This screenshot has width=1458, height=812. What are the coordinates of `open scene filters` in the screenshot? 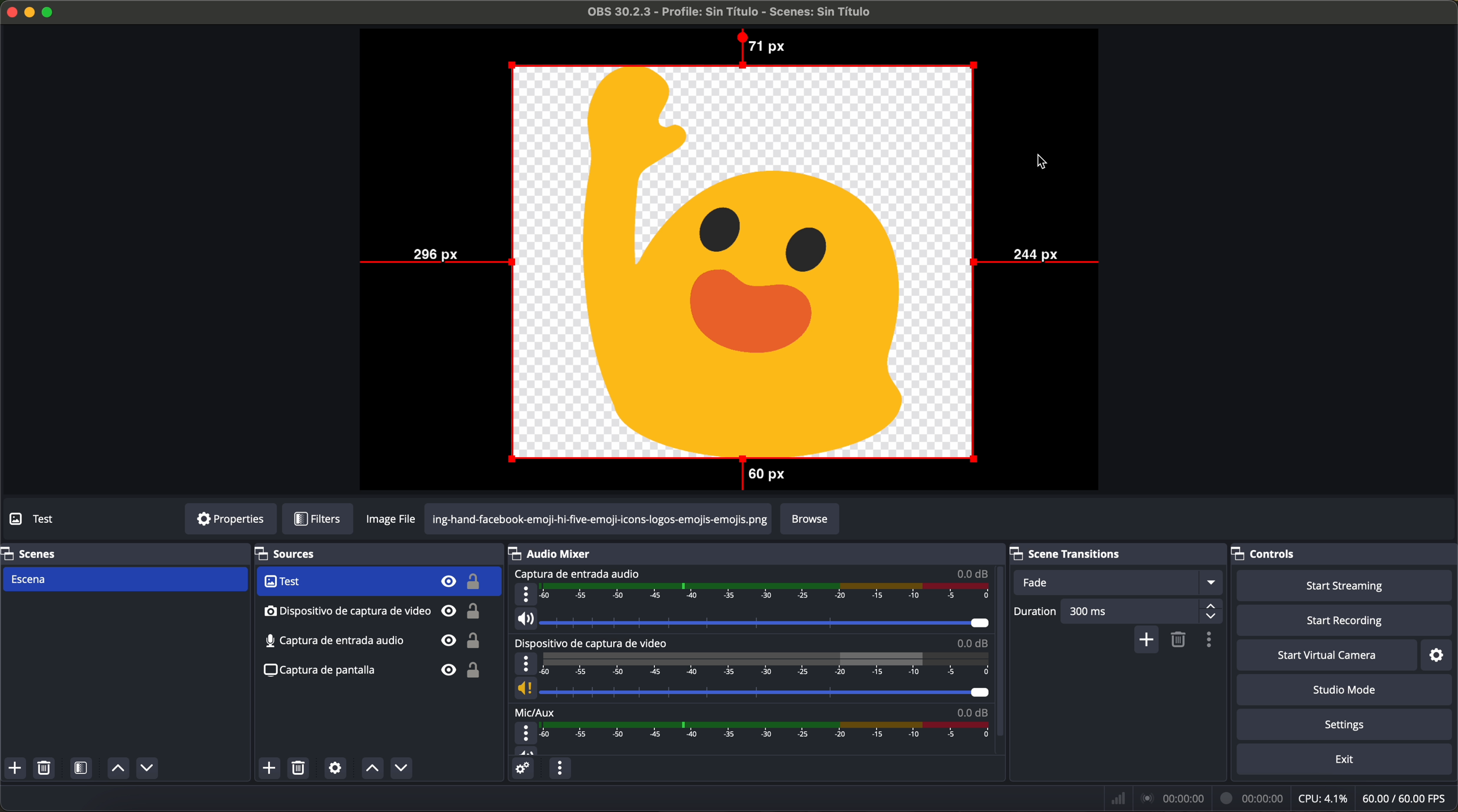 It's located at (83, 769).